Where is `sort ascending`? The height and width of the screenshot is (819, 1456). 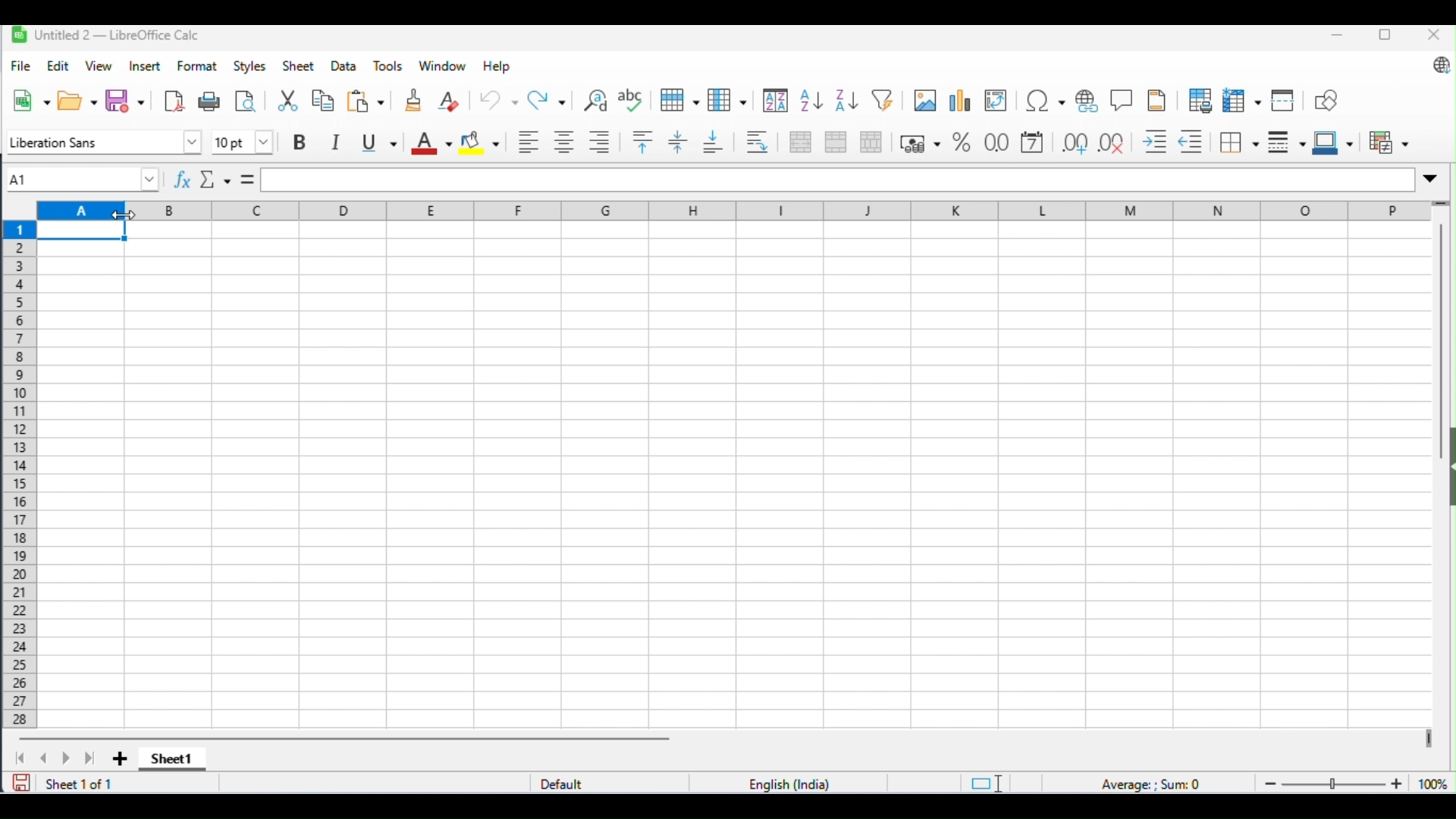 sort ascending is located at coordinates (810, 101).